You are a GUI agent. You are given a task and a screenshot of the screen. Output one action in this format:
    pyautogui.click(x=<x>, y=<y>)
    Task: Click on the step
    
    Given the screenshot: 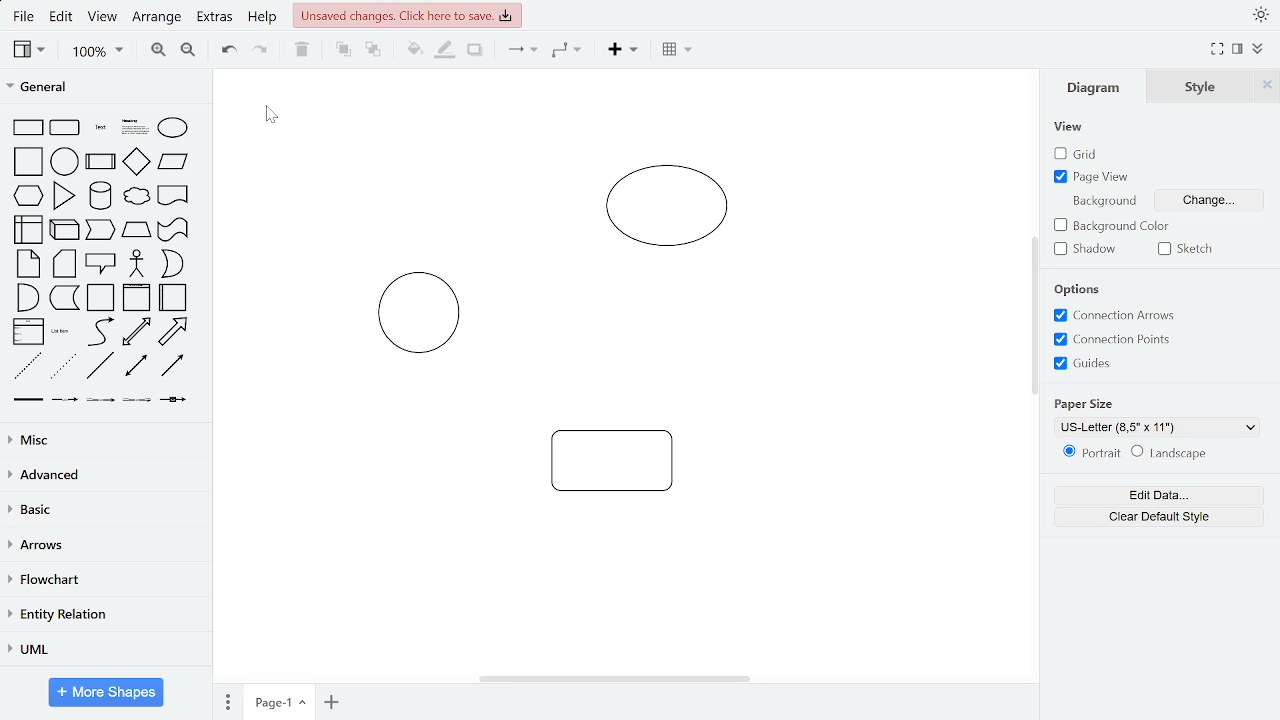 What is the action you would take?
    pyautogui.click(x=64, y=299)
    